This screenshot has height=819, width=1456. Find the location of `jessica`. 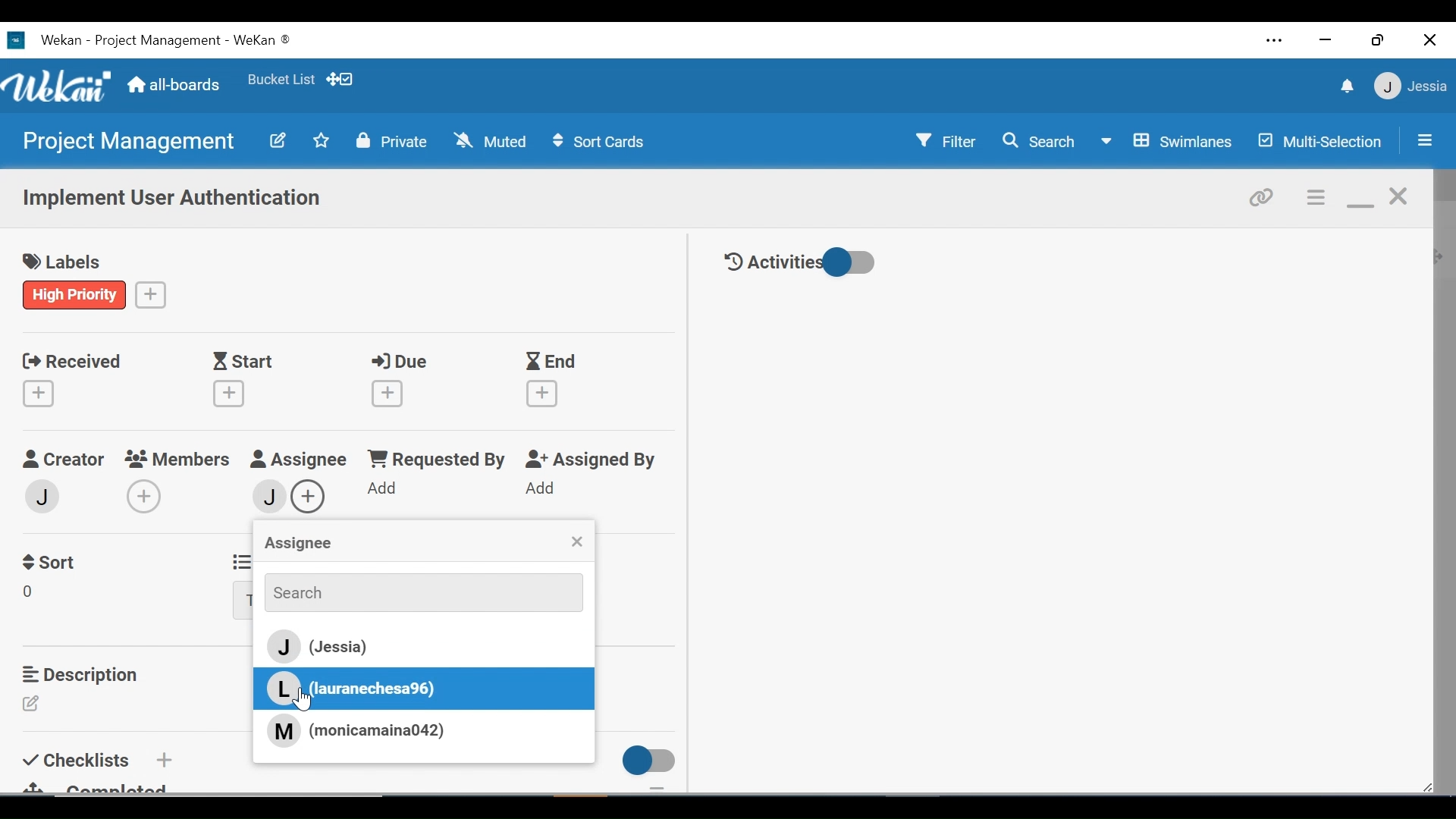

jessica is located at coordinates (1409, 86).